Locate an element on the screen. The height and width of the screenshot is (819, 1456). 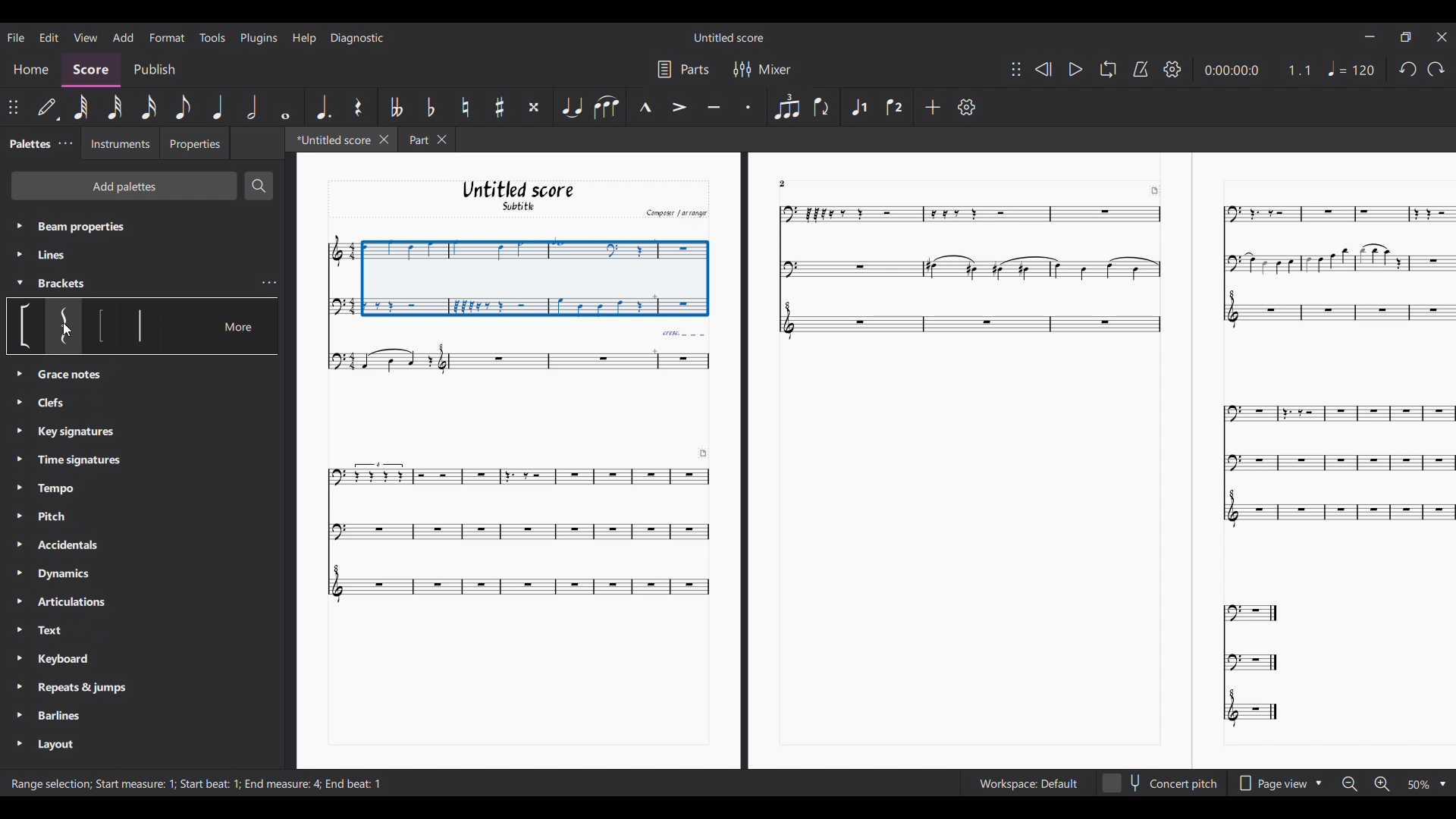
Filter is located at coordinates (740, 69).